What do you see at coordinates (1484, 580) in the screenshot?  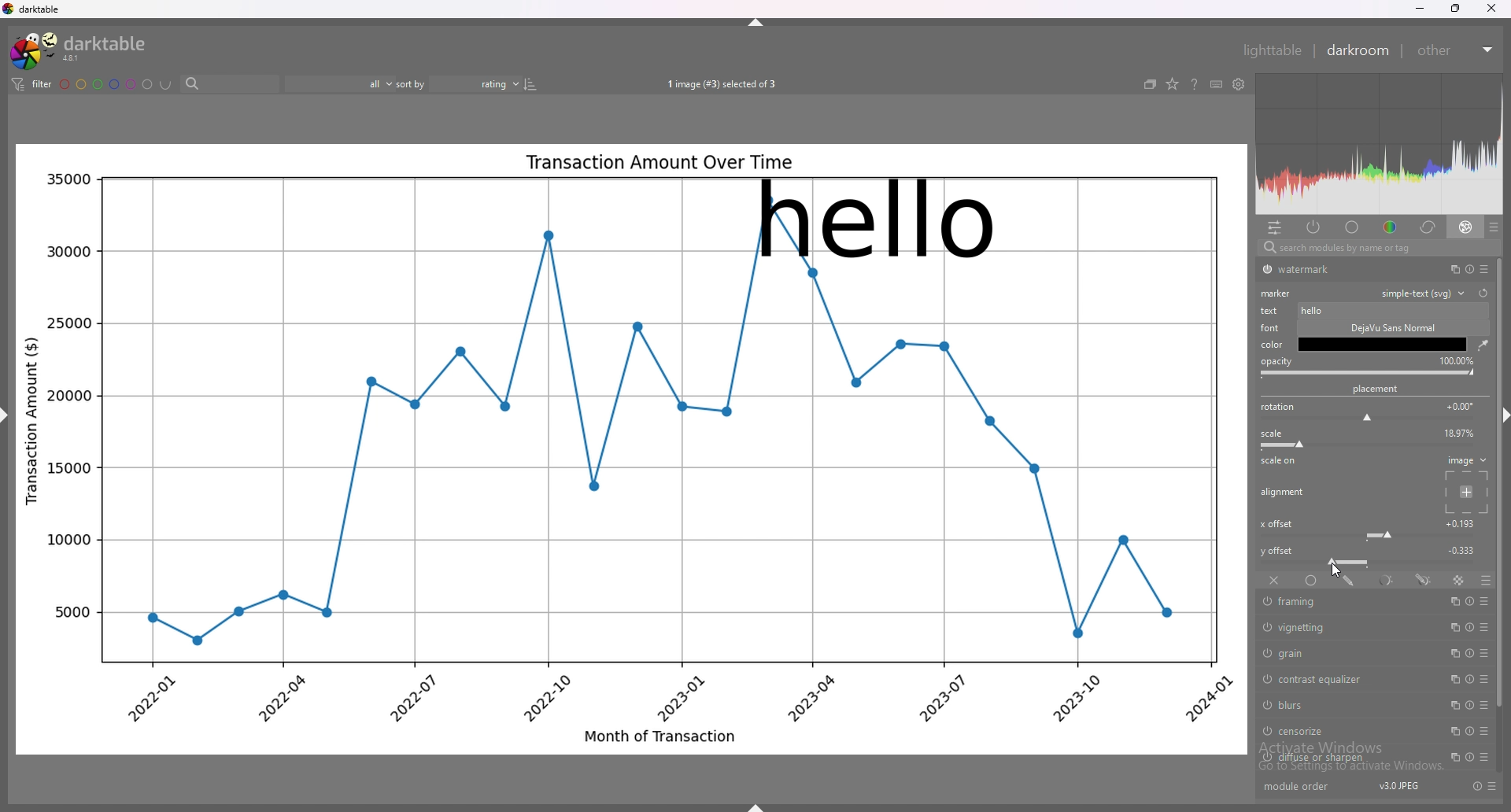 I see `blending options` at bounding box center [1484, 580].